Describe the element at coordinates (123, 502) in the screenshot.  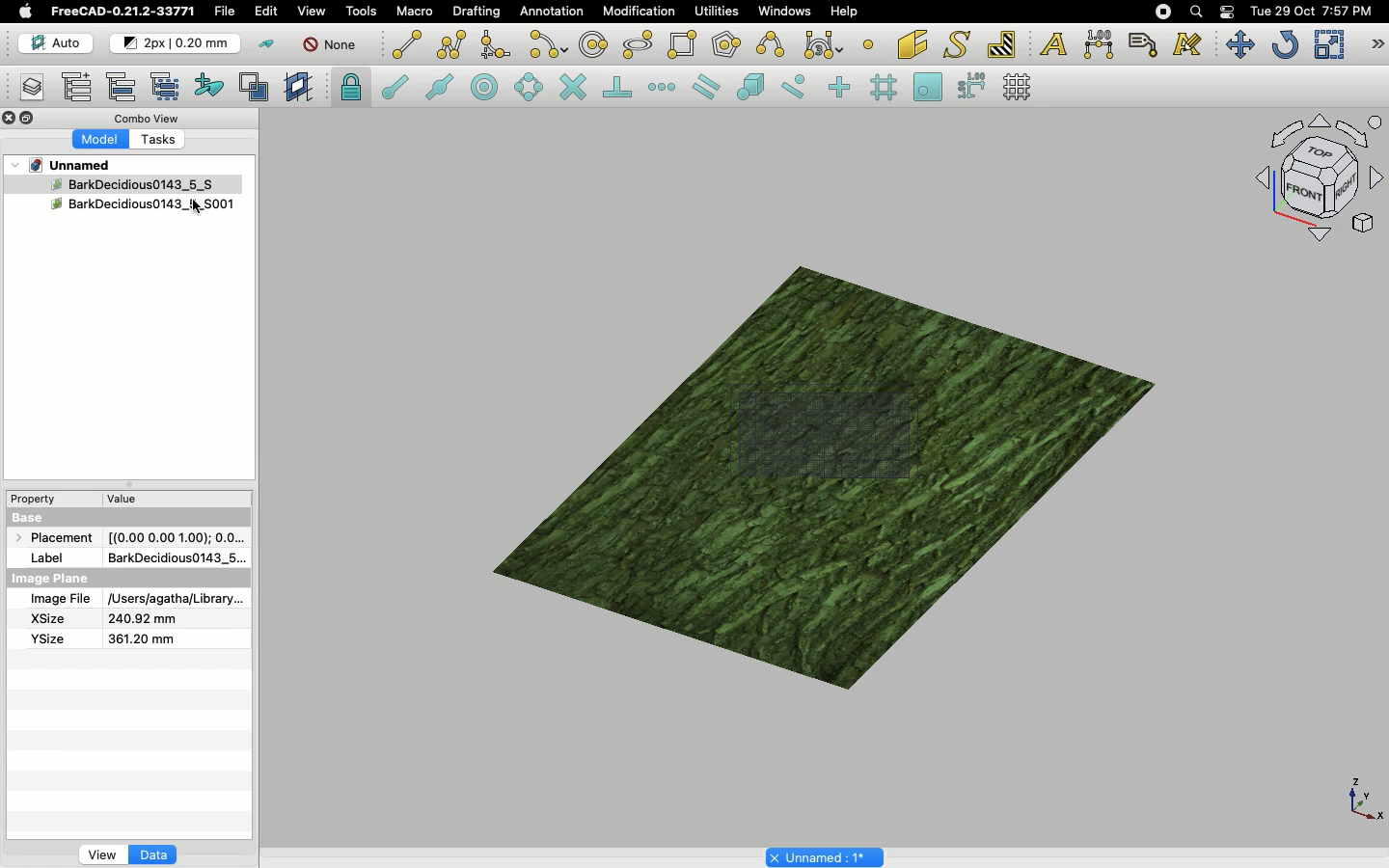
I see `Value` at that location.